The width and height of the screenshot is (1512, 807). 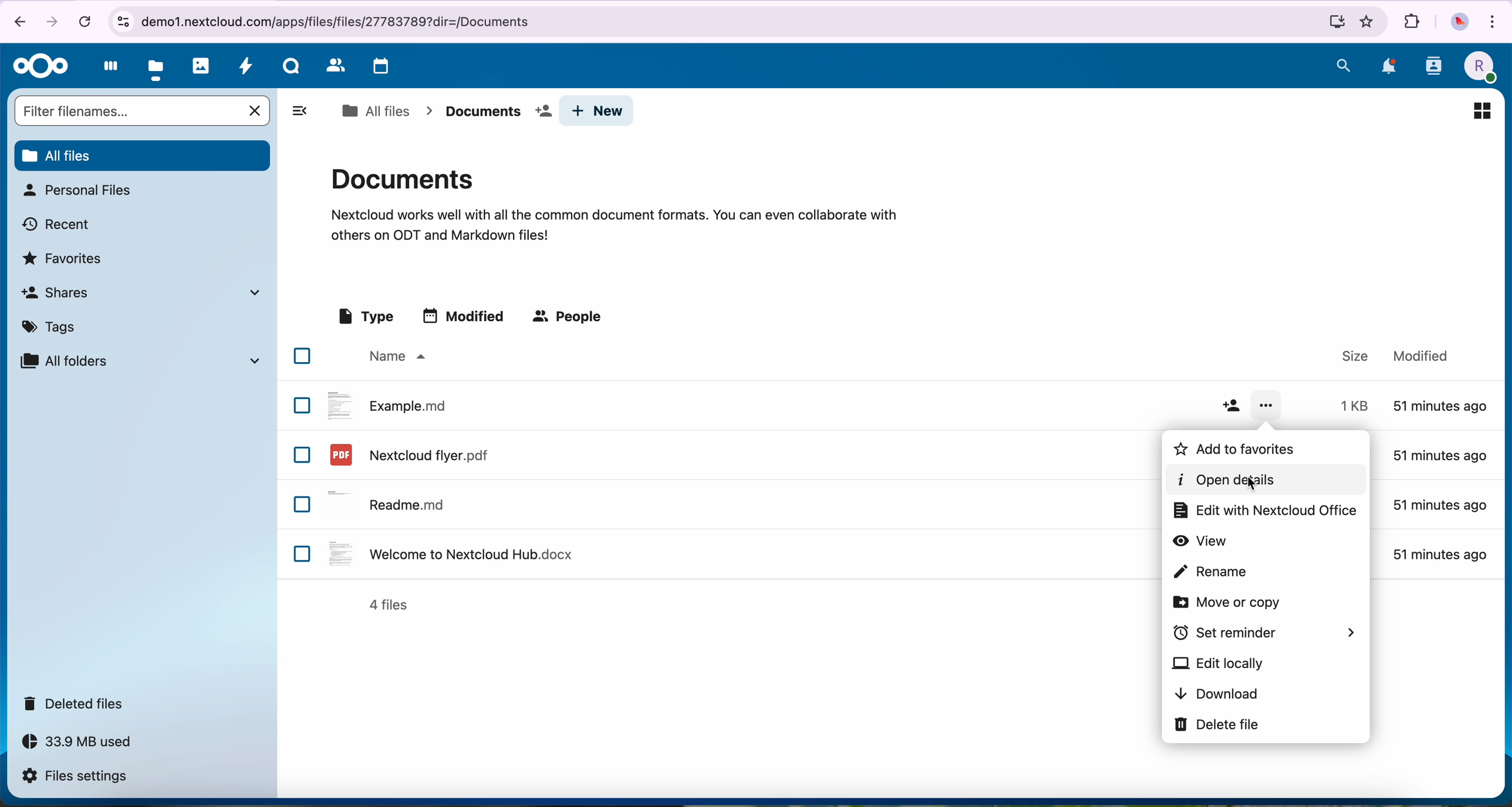 What do you see at coordinates (1251, 484) in the screenshot?
I see `cursor` at bounding box center [1251, 484].